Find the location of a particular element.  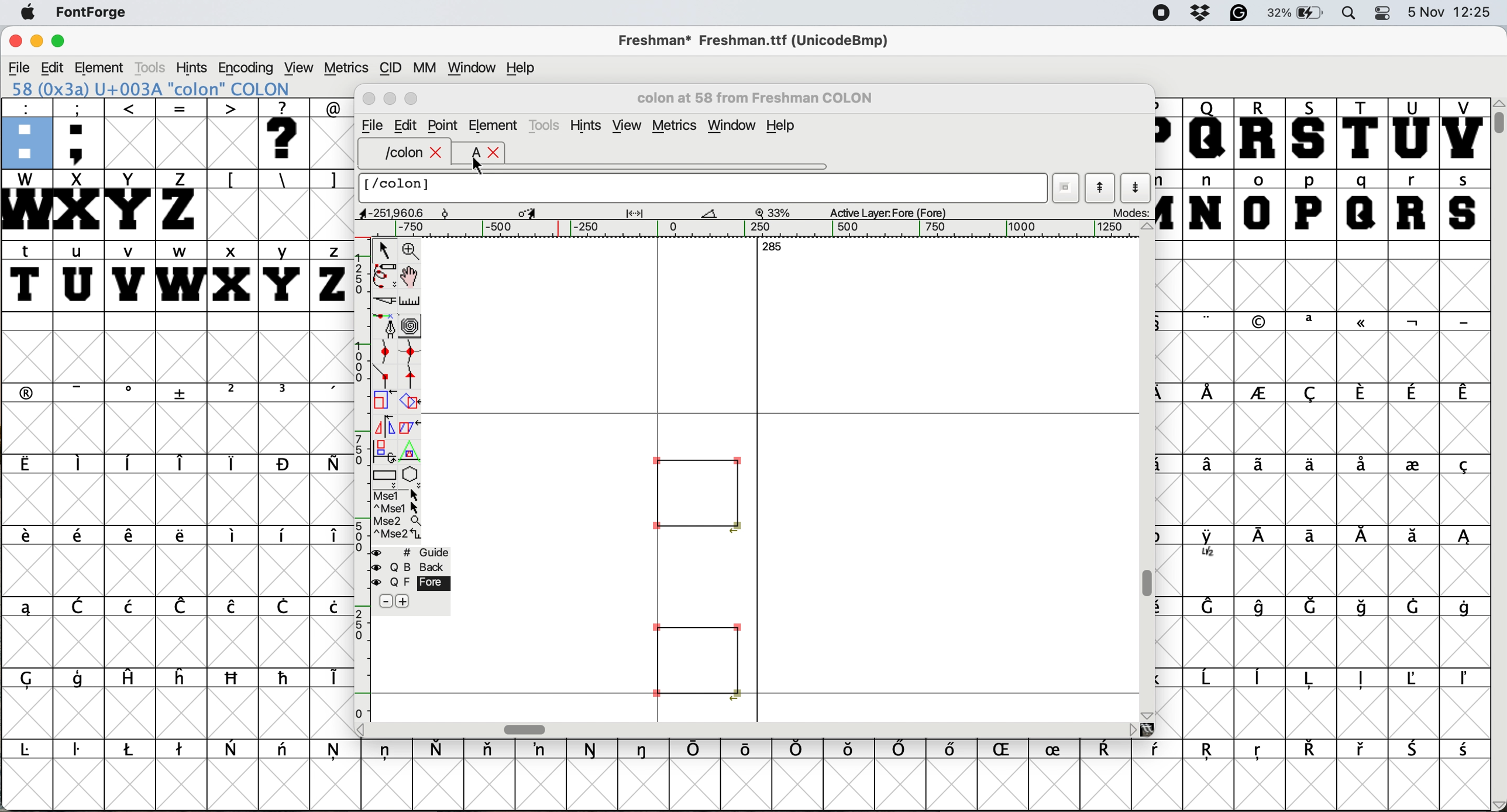

symbol is located at coordinates (645, 749).